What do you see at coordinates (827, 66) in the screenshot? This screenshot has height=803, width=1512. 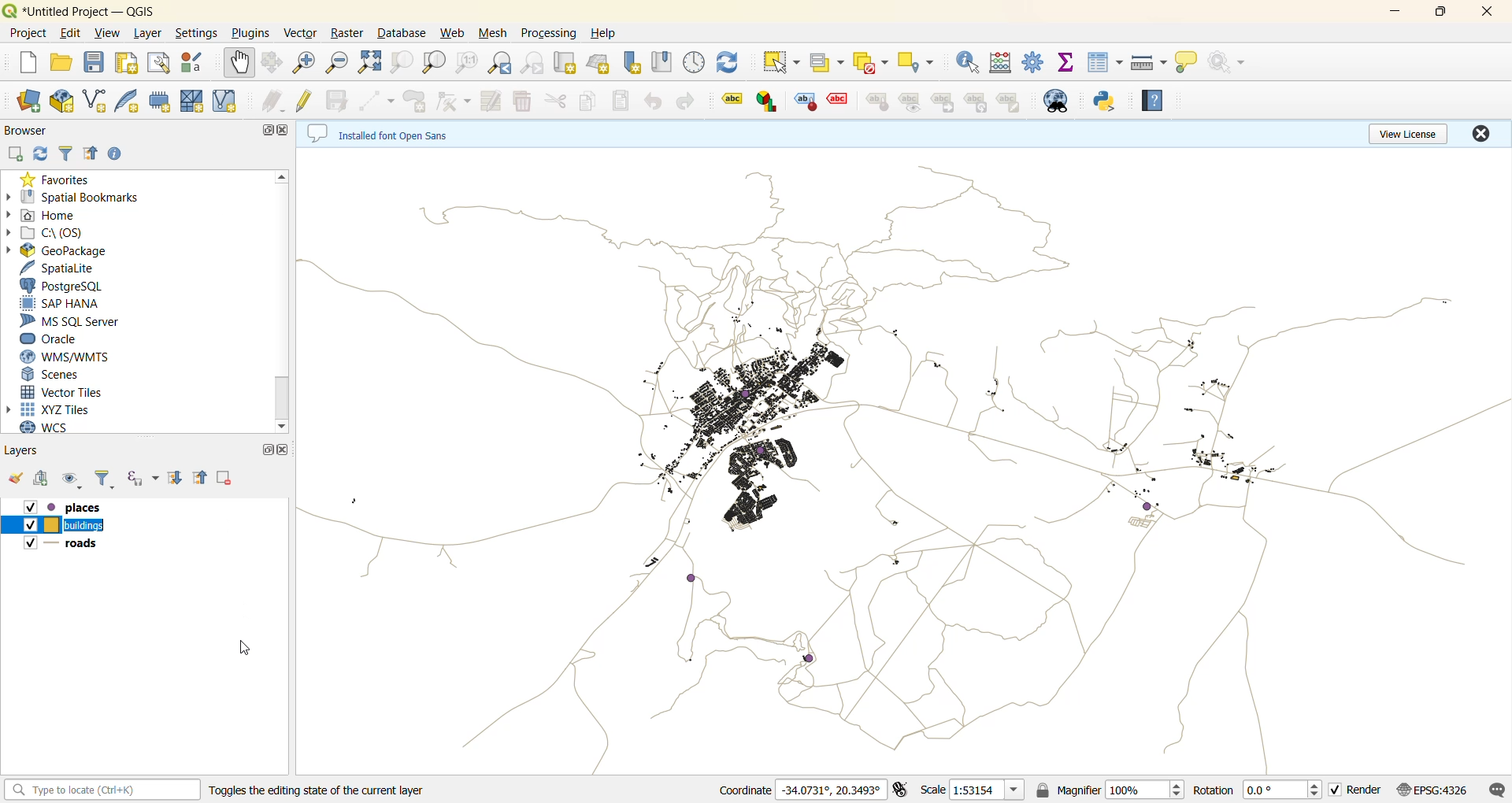 I see `select value` at bounding box center [827, 66].